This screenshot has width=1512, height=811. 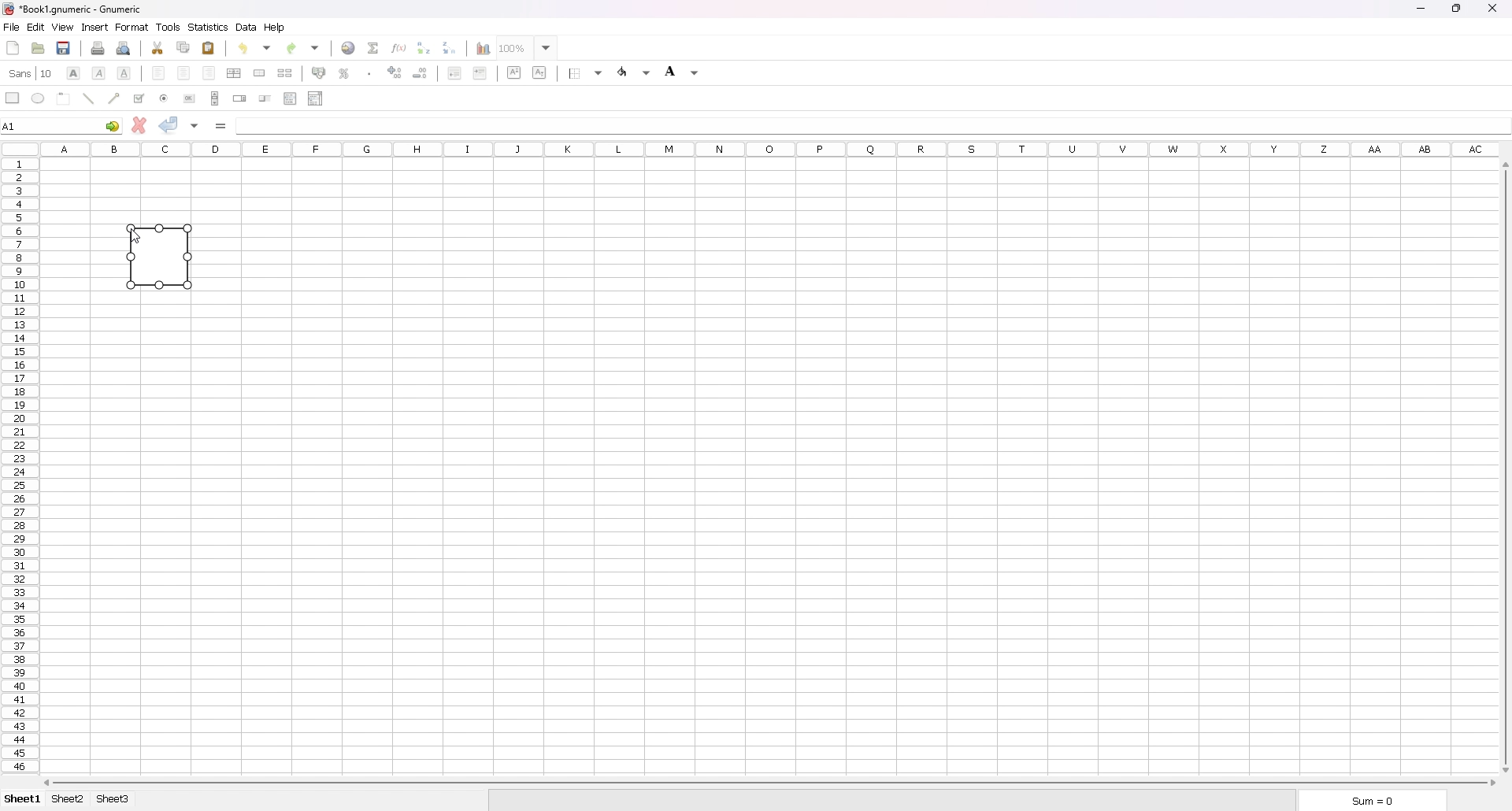 I want to click on view, so click(x=62, y=27).